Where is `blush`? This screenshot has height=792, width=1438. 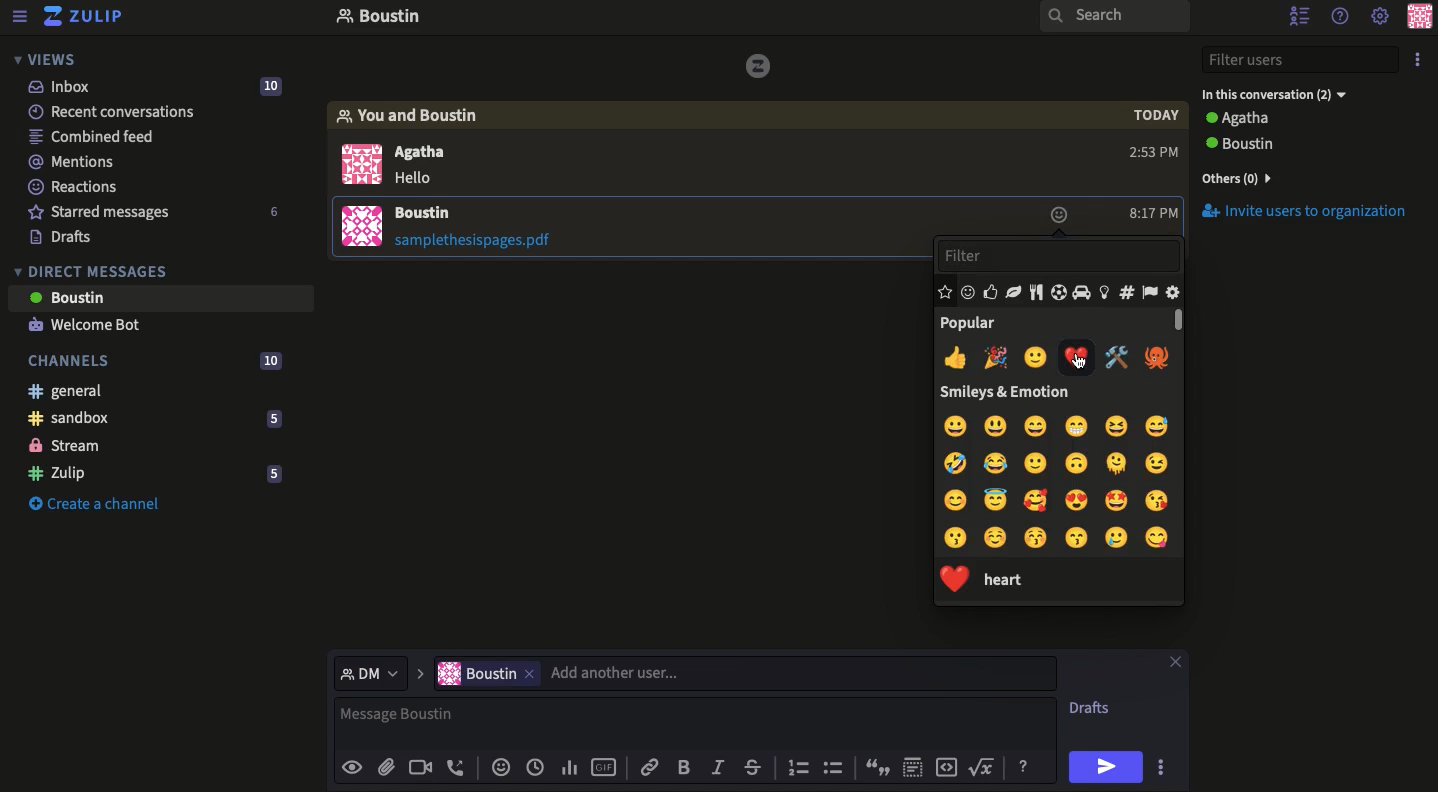
blush is located at coordinates (955, 499).